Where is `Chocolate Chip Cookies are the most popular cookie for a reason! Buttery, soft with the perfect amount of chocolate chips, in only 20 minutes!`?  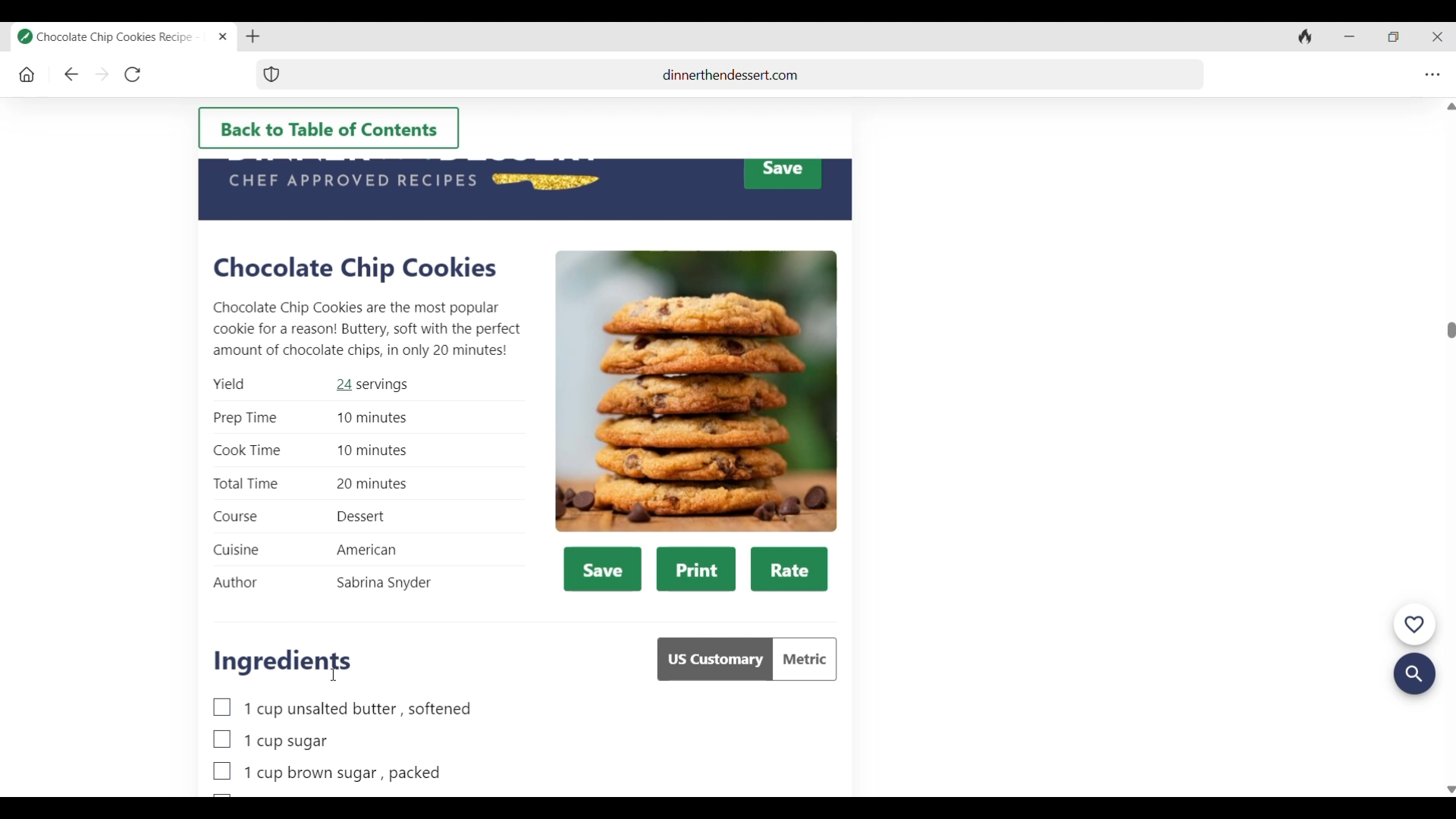 Chocolate Chip Cookies are the most popular cookie for a reason! Buttery, soft with the perfect amount of chocolate chips, in only 20 minutes! is located at coordinates (367, 329).